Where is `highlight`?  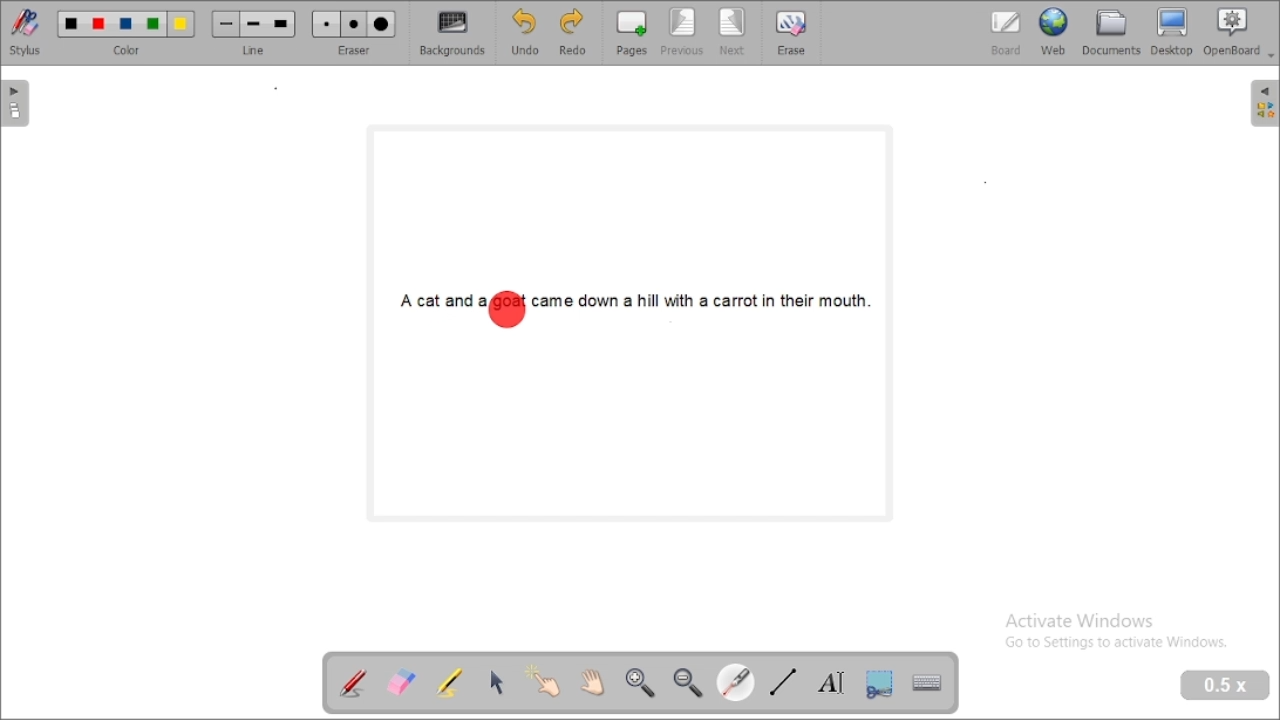 highlight is located at coordinates (450, 681).